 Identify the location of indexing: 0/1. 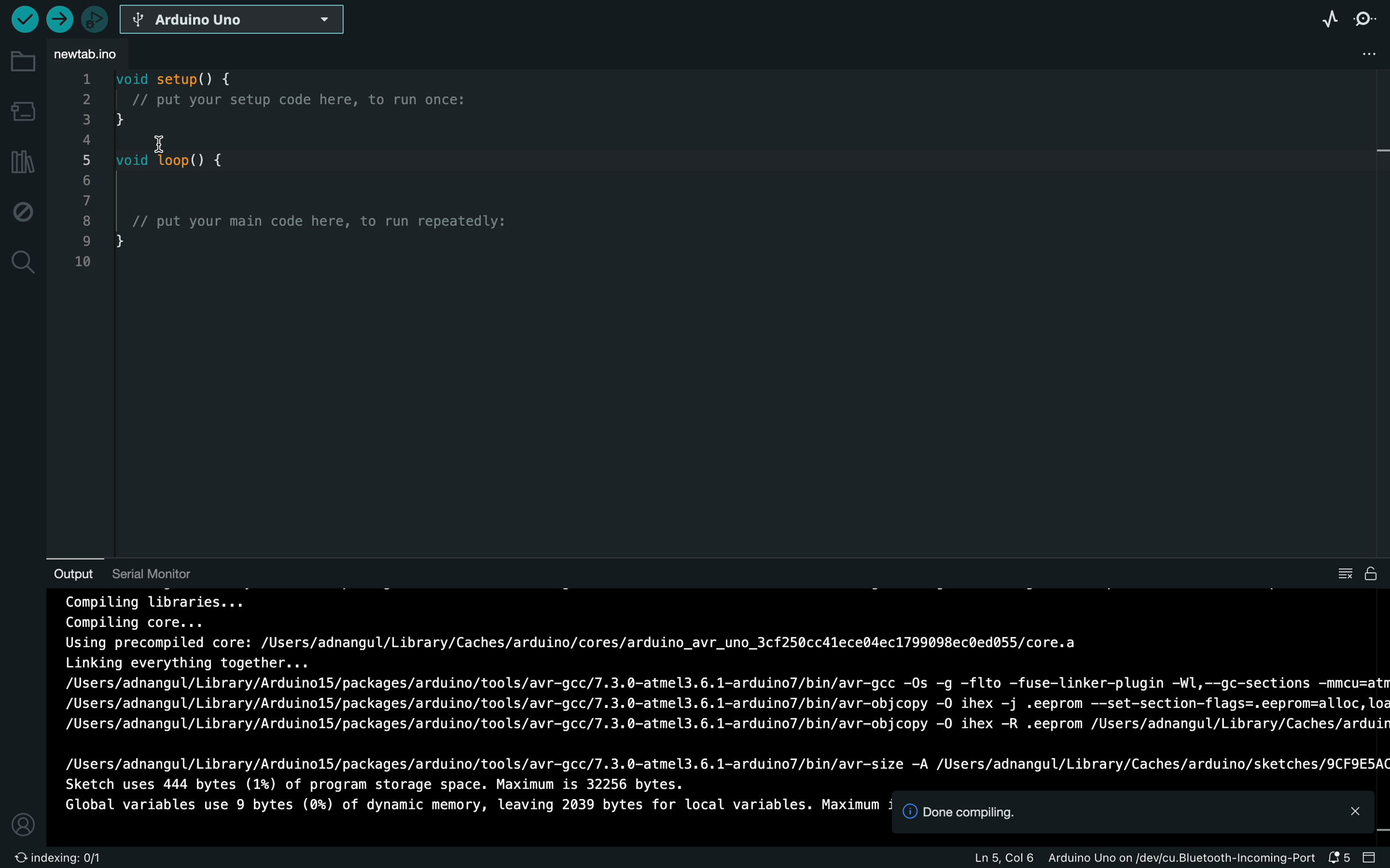
(56, 857).